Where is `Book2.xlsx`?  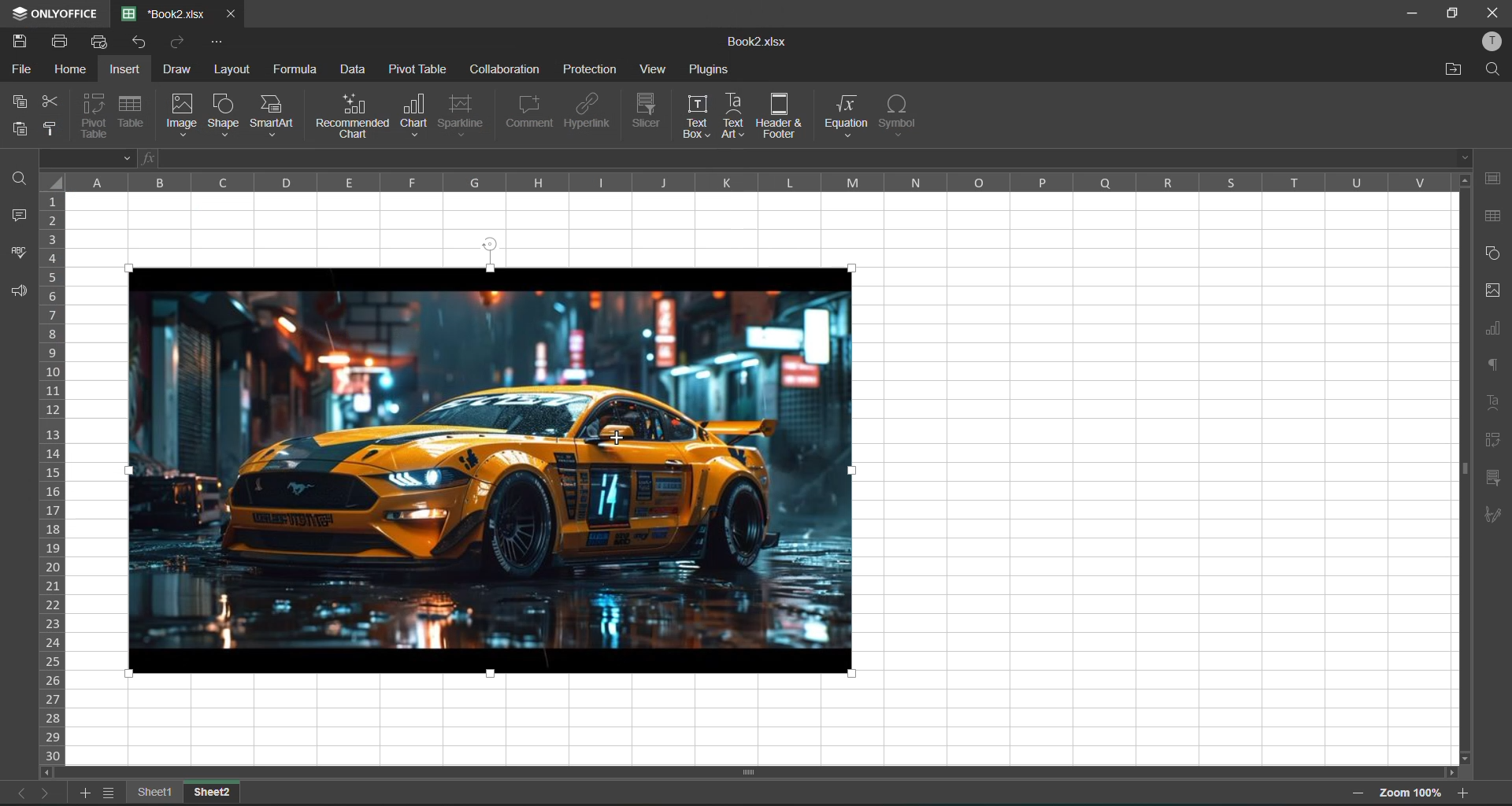
Book2.xlsx is located at coordinates (751, 43).